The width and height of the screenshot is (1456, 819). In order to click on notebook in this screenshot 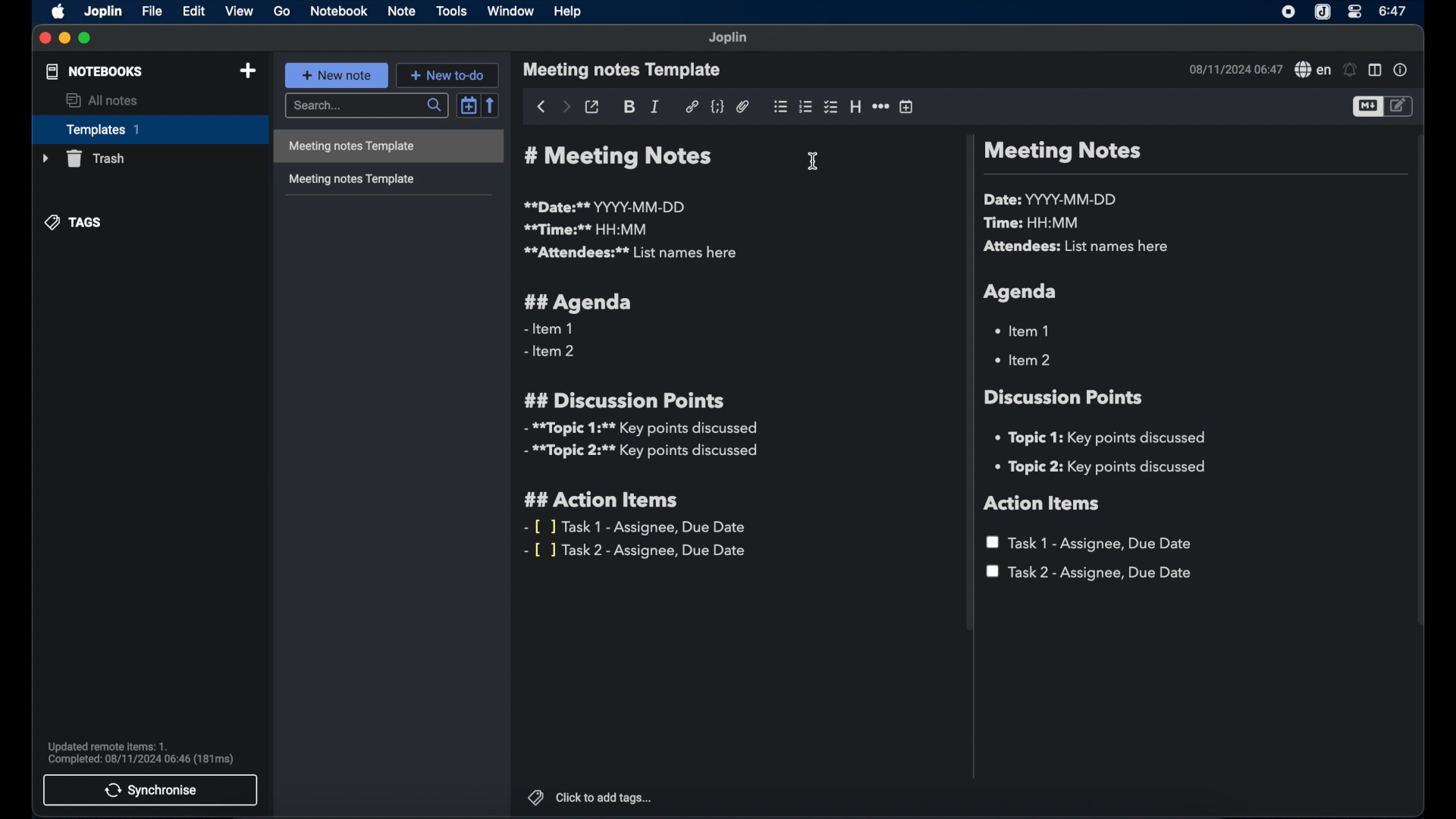, I will do `click(338, 12)`.